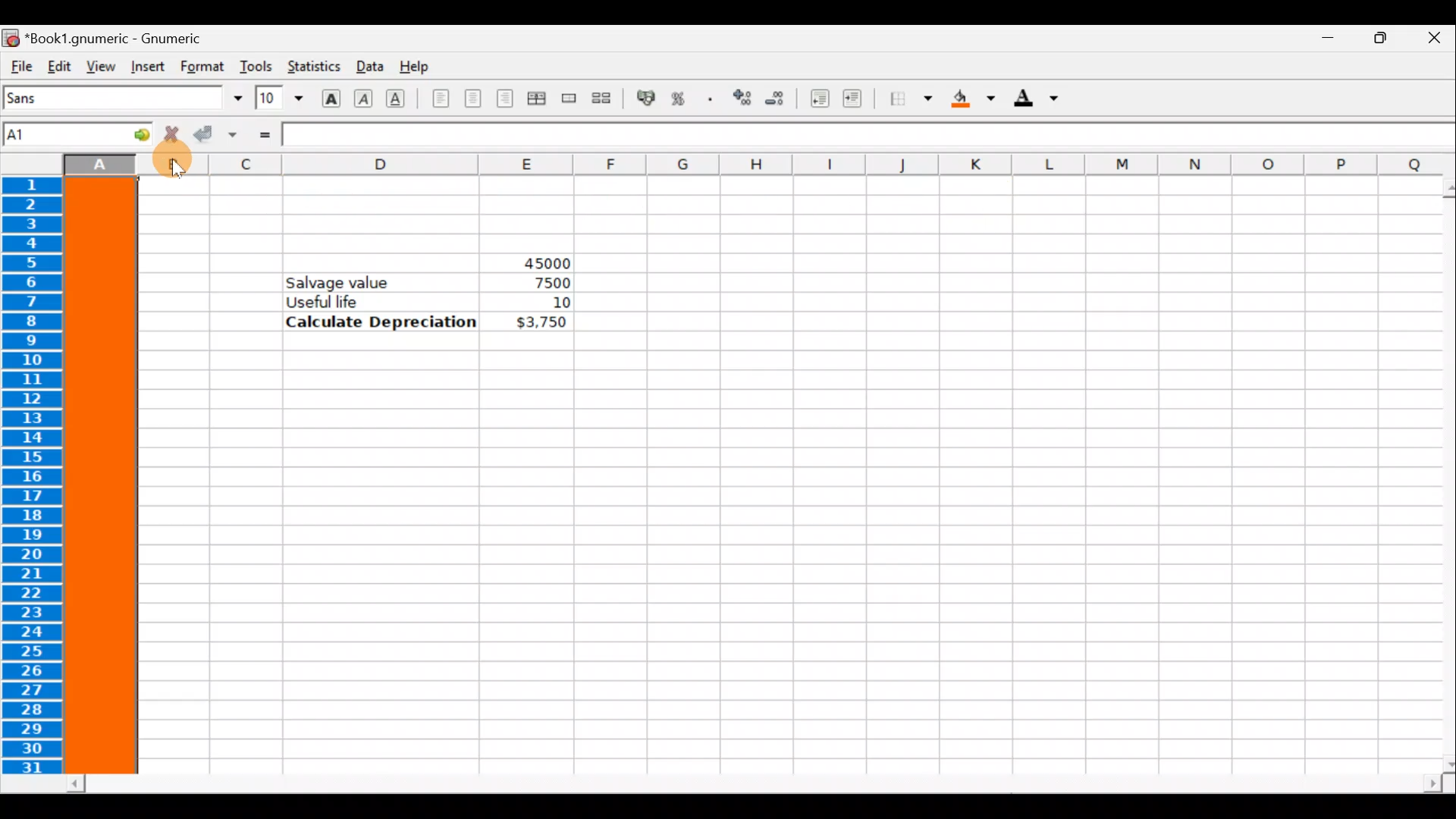 The height and width of the screenshot is (819, 1456). What do you see at coordinates (11, 37) in the screenshot?
I see `Gnumeric logo` at bounding box center [11, 37].